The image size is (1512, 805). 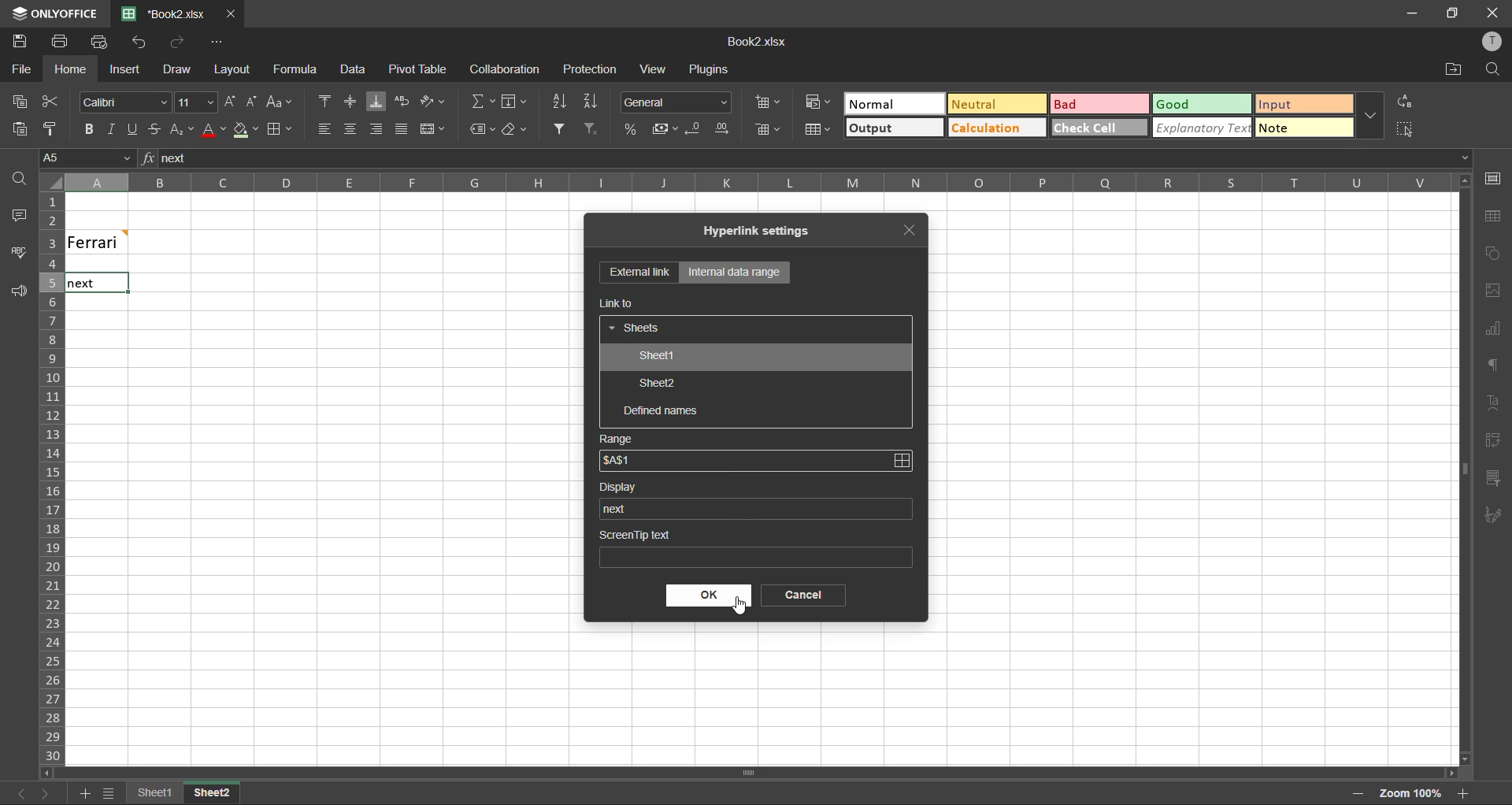 What do you see at coordinates (483, 129) in the screenshot?
I see `named ranges` at bounding box center [483, 129].